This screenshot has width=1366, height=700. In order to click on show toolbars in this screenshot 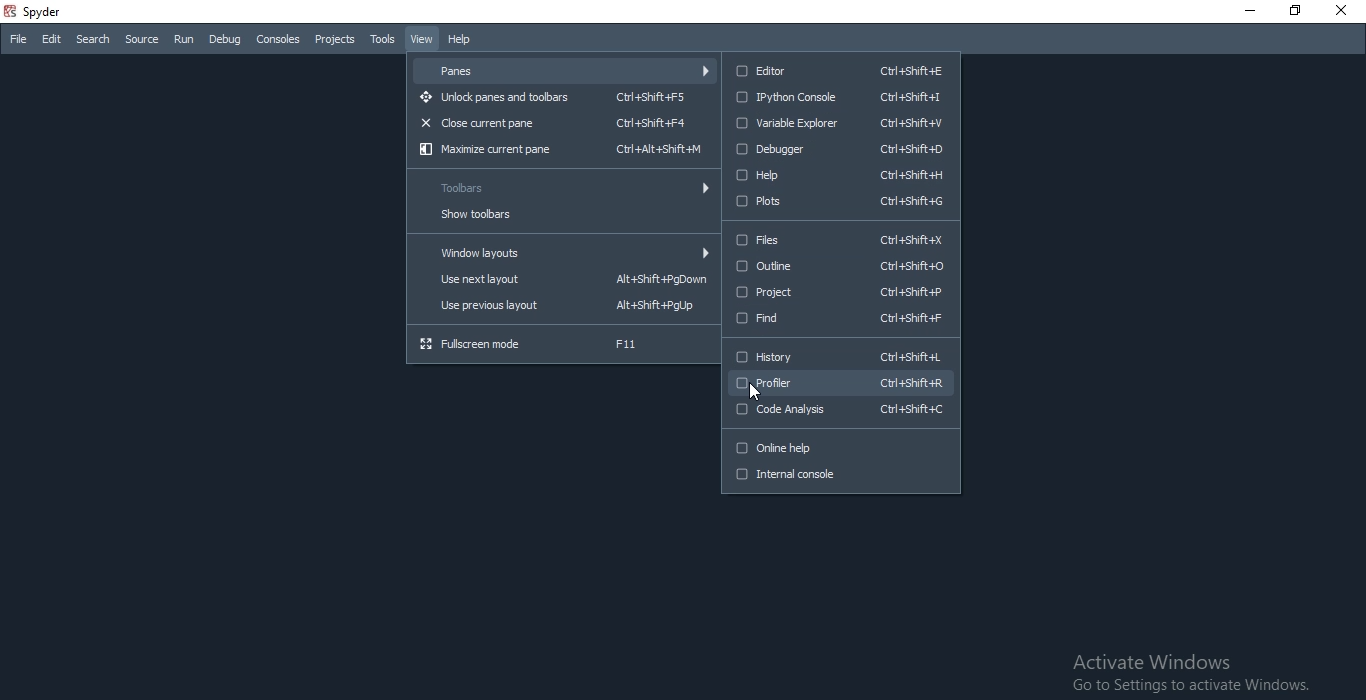, I will do `click(561, 215)`.